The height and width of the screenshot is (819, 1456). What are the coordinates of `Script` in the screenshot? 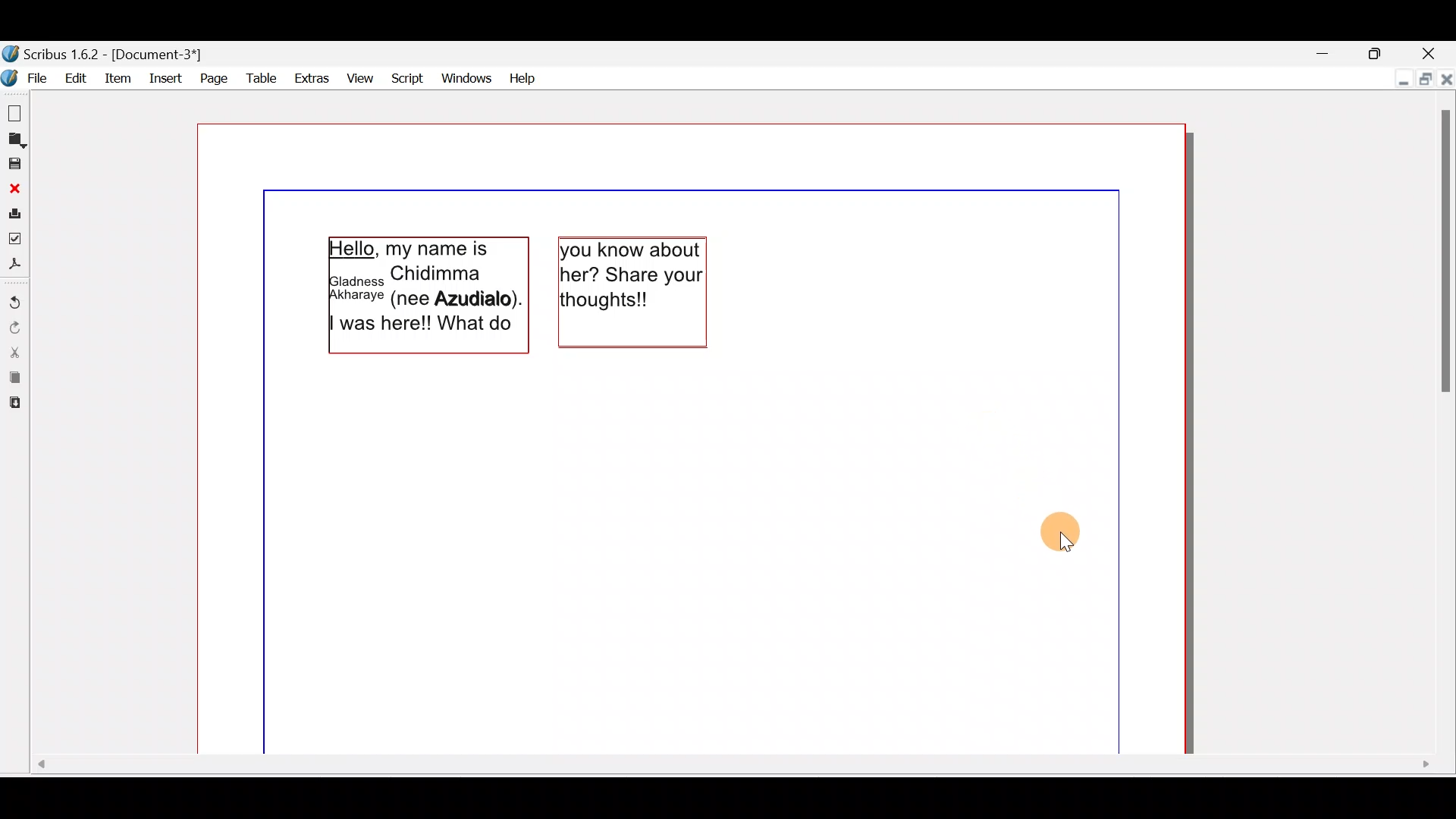 It's located at (408, 76).